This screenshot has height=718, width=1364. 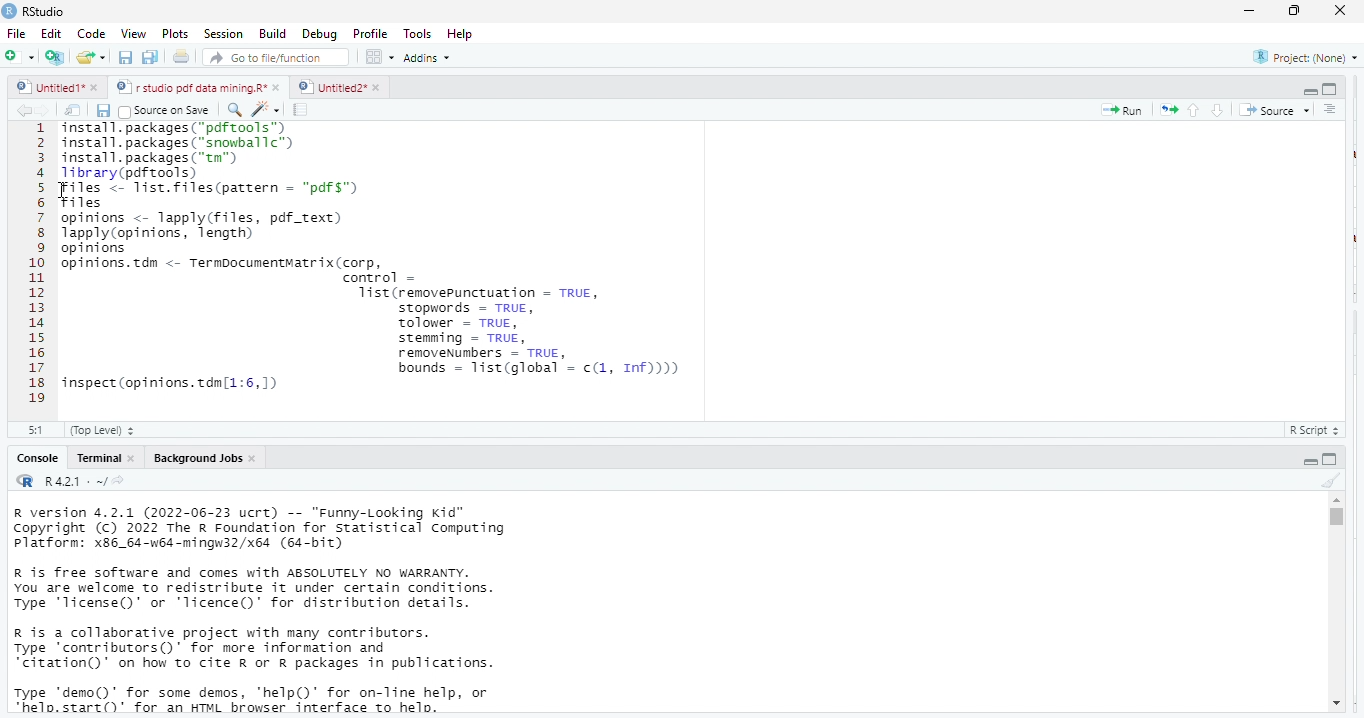 What do you see at coordinates (89, 34) in the screenshot?
I see `code` at bounding box center [89, 34].